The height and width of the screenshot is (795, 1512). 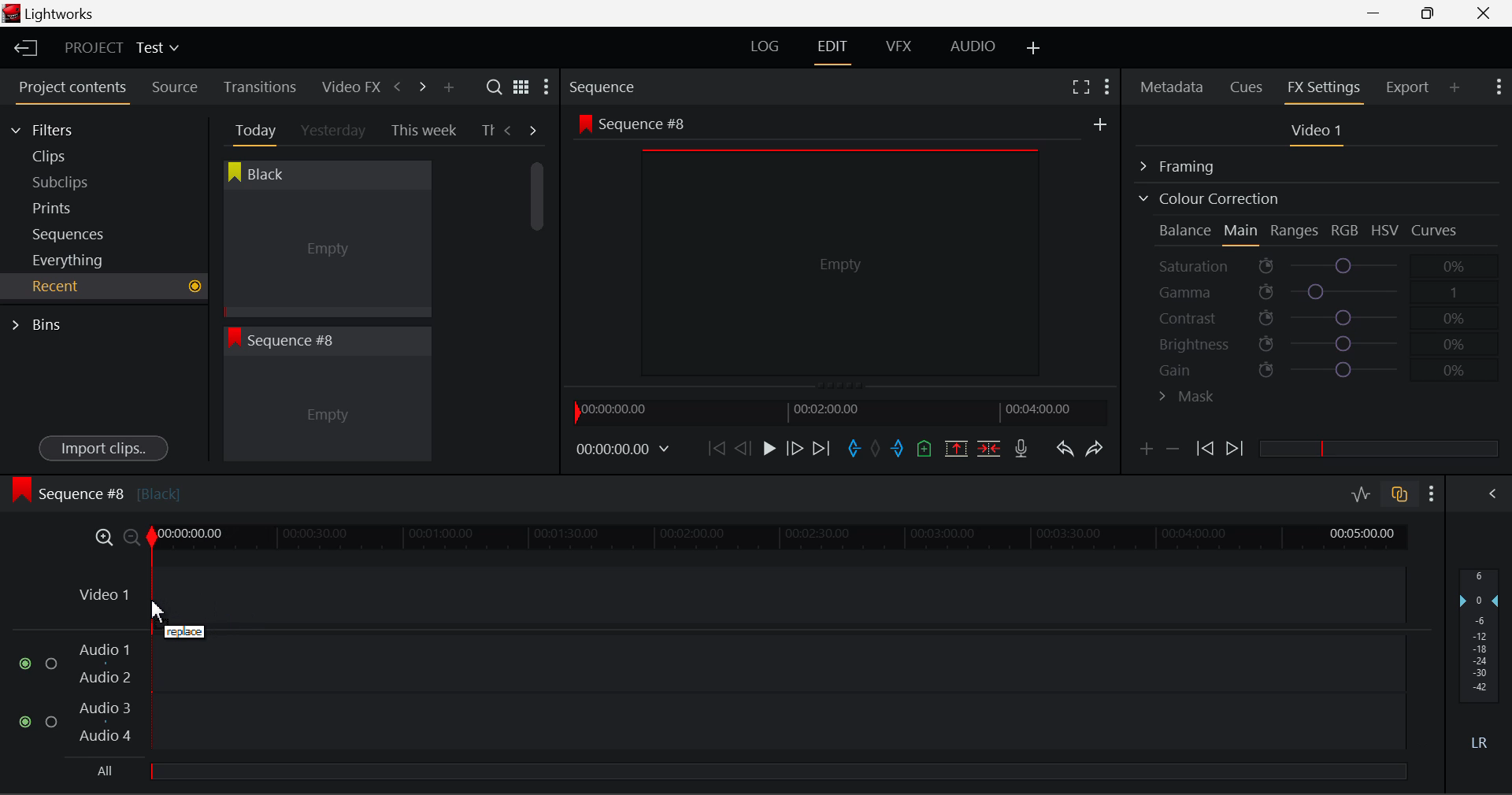 I want to click on EDIT Layout, so click(x=835, y=50).